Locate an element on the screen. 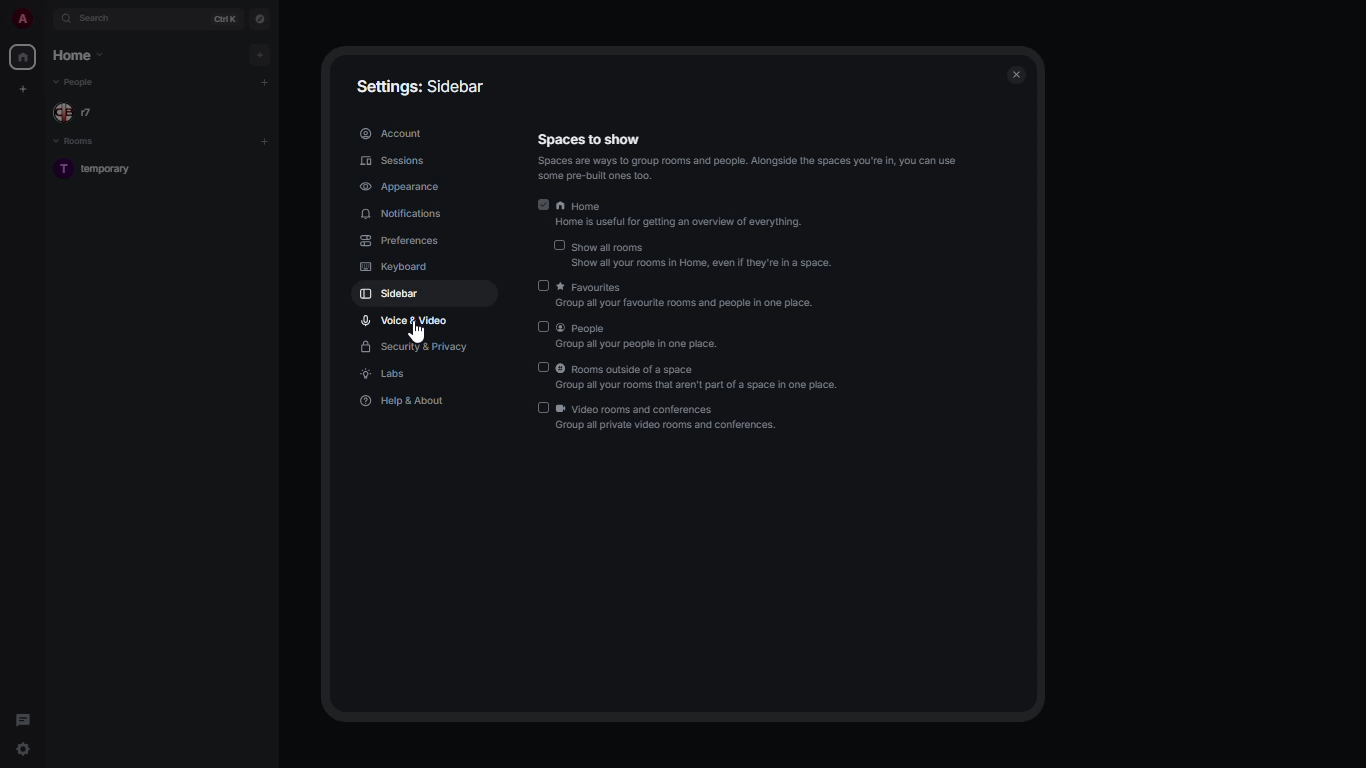  people is located at coordinates (642, 337).